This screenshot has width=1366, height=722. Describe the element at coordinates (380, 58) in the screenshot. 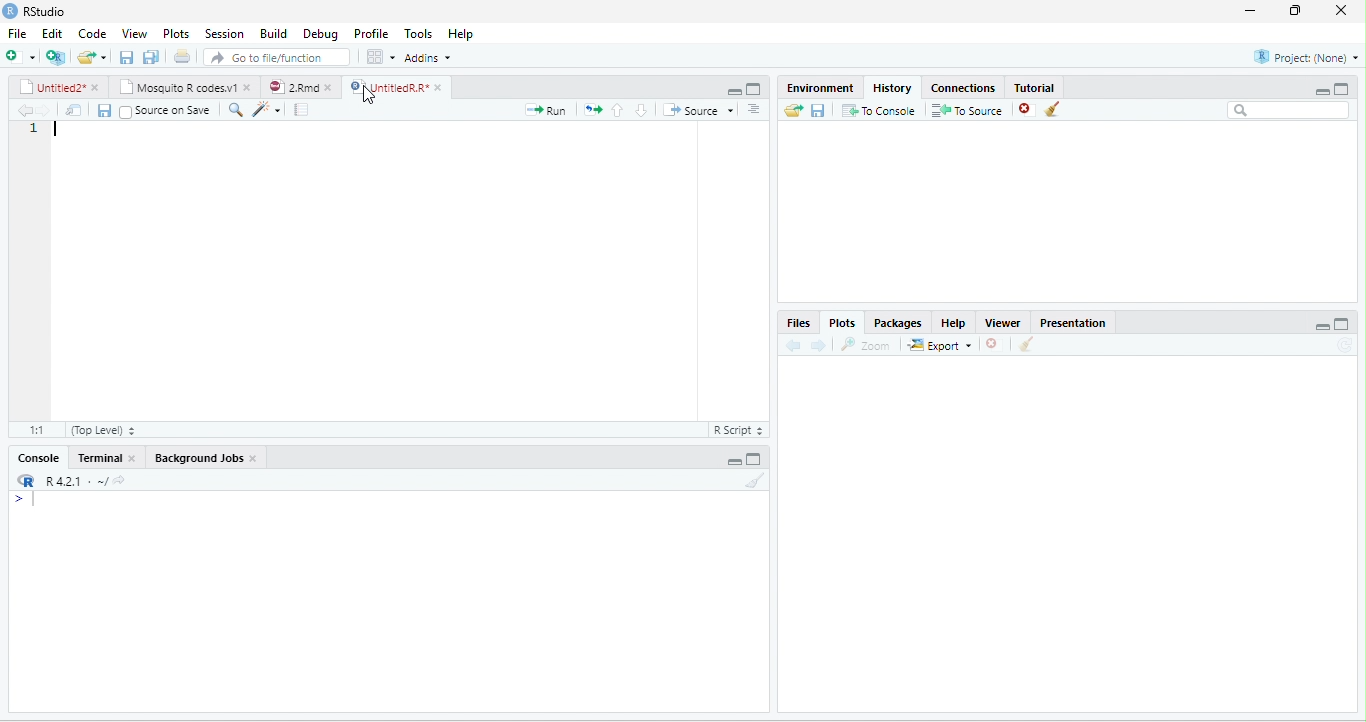

I see `grid` at that location.